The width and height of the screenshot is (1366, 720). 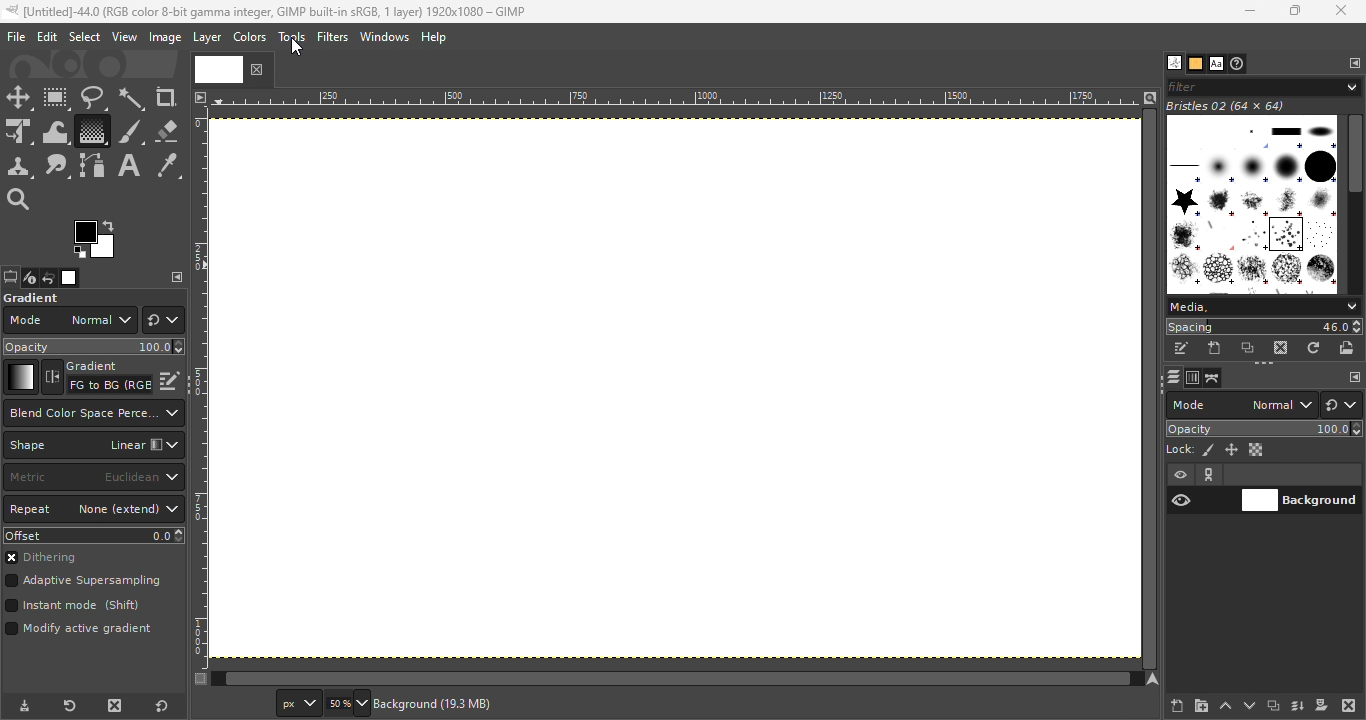 What do you see at coordinates (1350, 706) in the screenshot?
I see `Delete this layer` at bounding box center [1350, 706].